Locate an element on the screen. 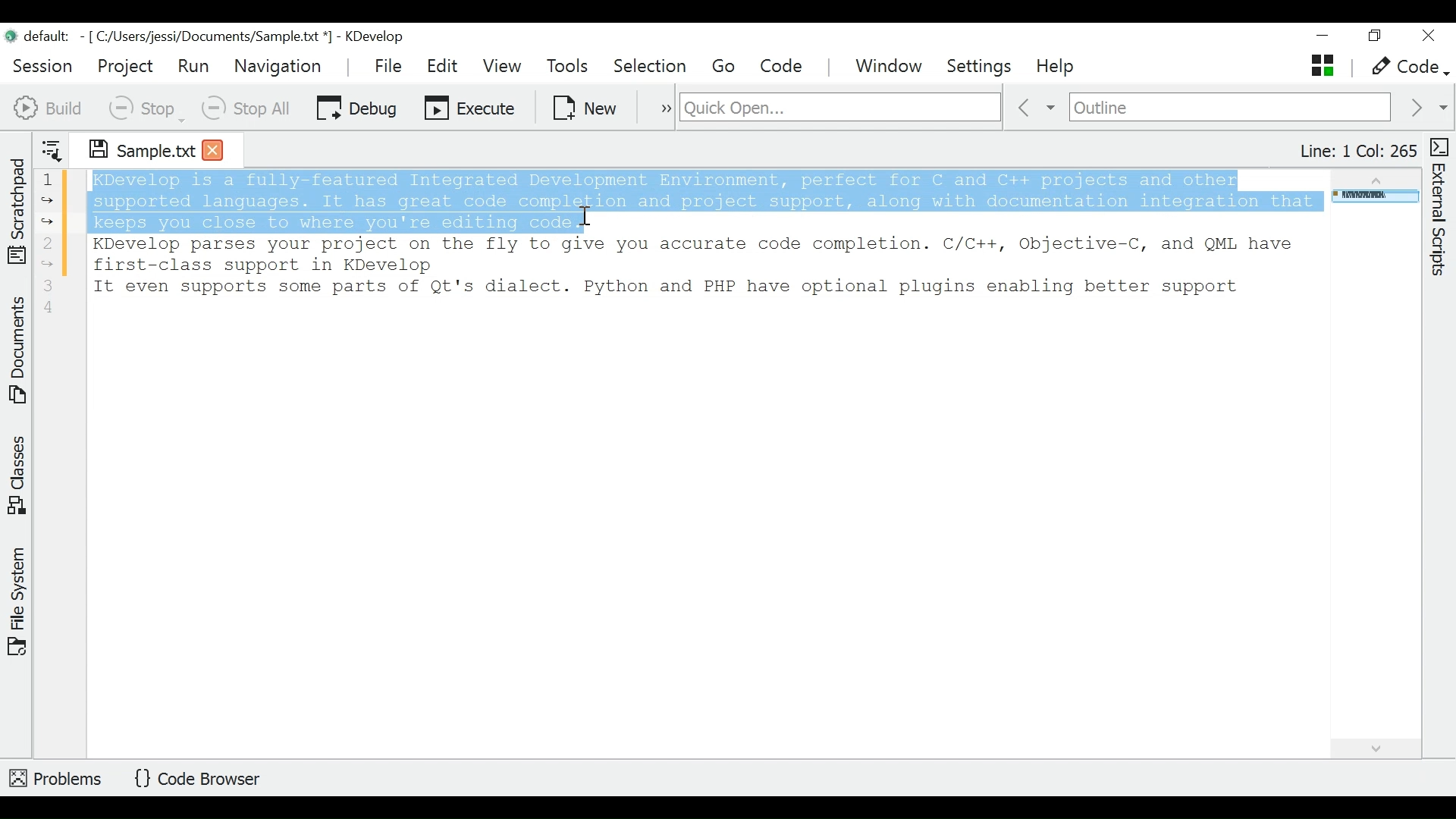 This screenshot has height=819, width=1456. Outline is located at coordinates (1230, 108).